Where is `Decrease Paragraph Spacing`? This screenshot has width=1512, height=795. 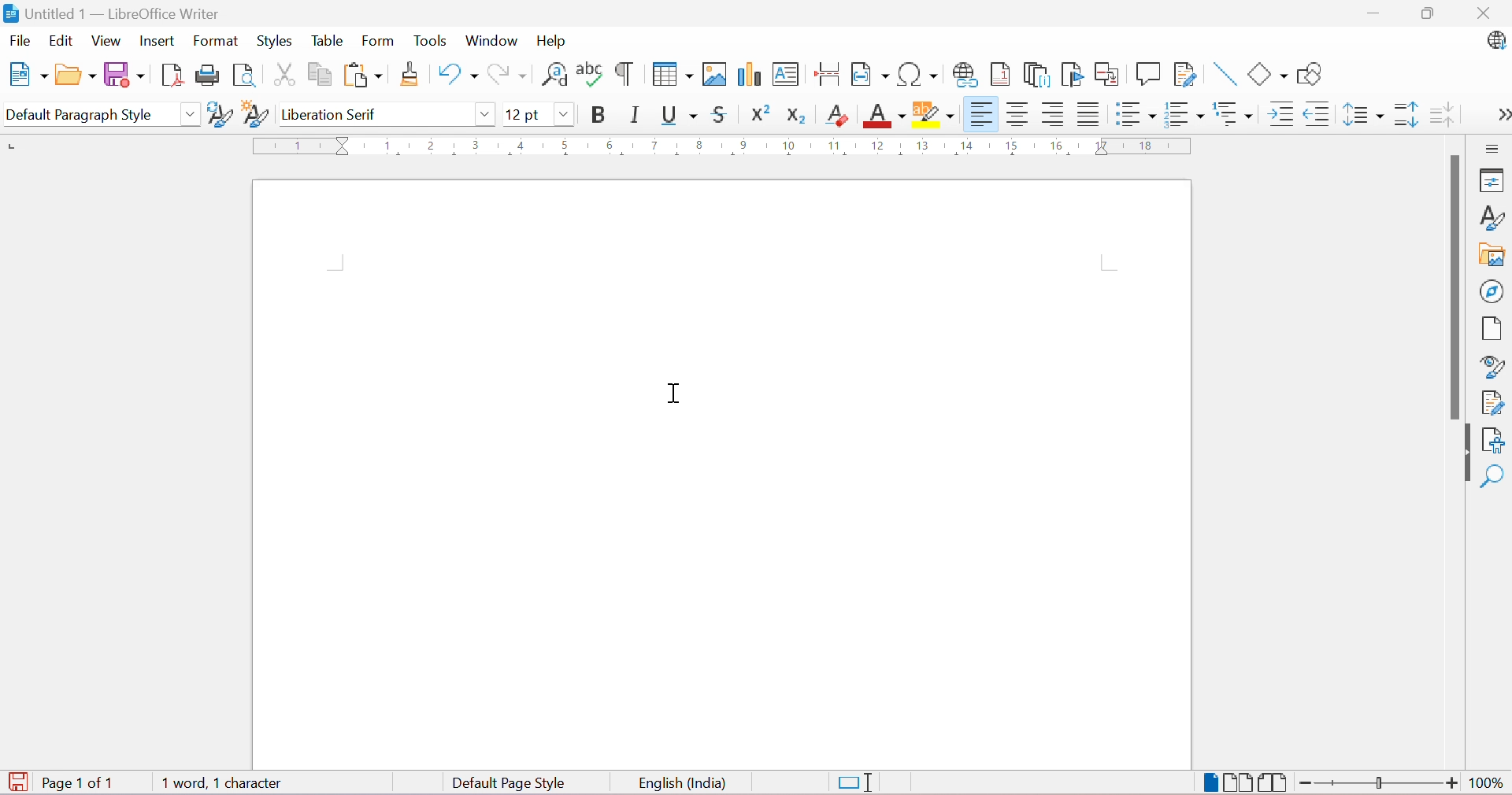 Decrease Paragraph Spacing is located at coordinates (1443, 112).